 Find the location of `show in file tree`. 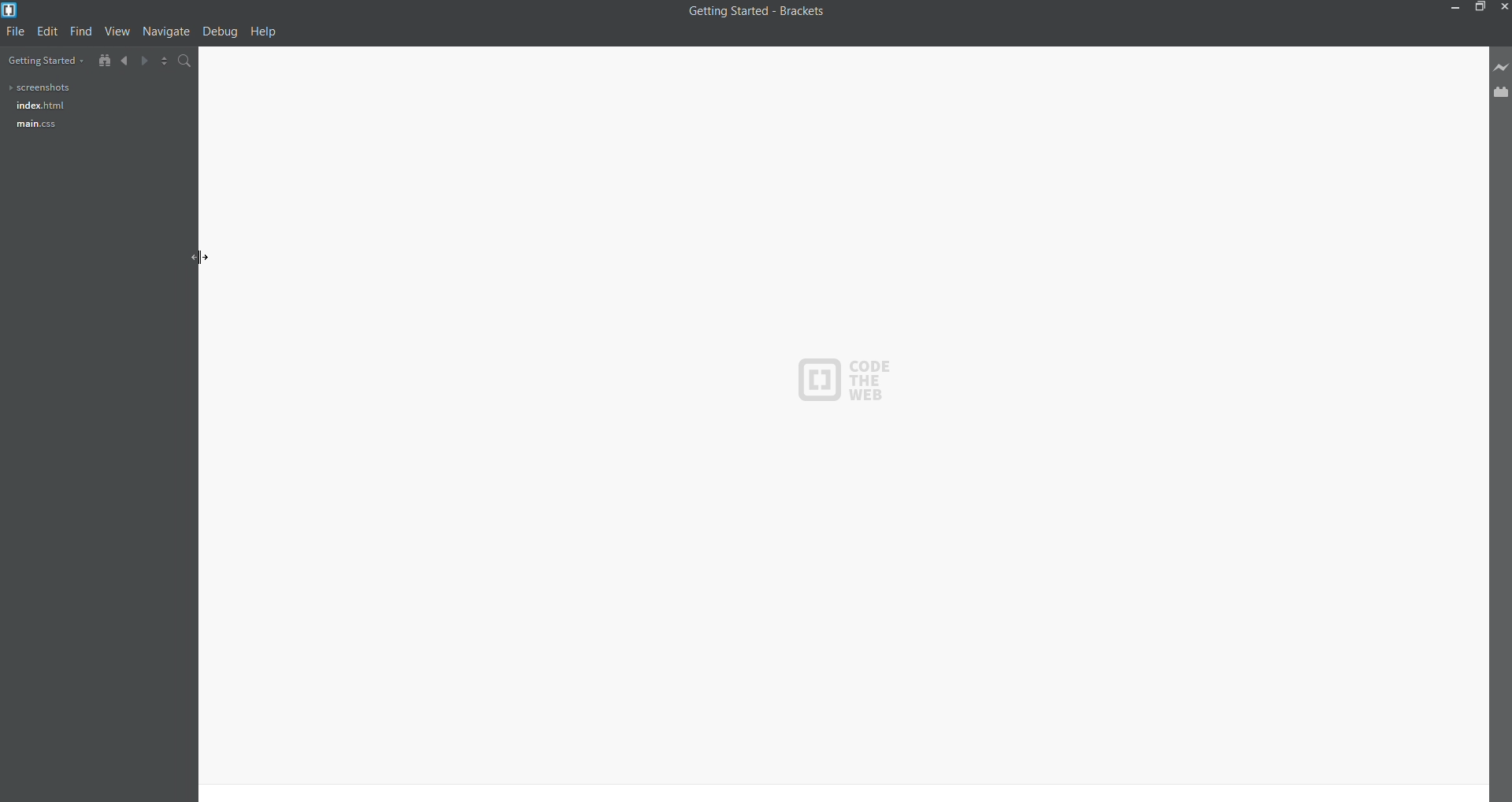

show in file tree is located at coordinates (99, 58).